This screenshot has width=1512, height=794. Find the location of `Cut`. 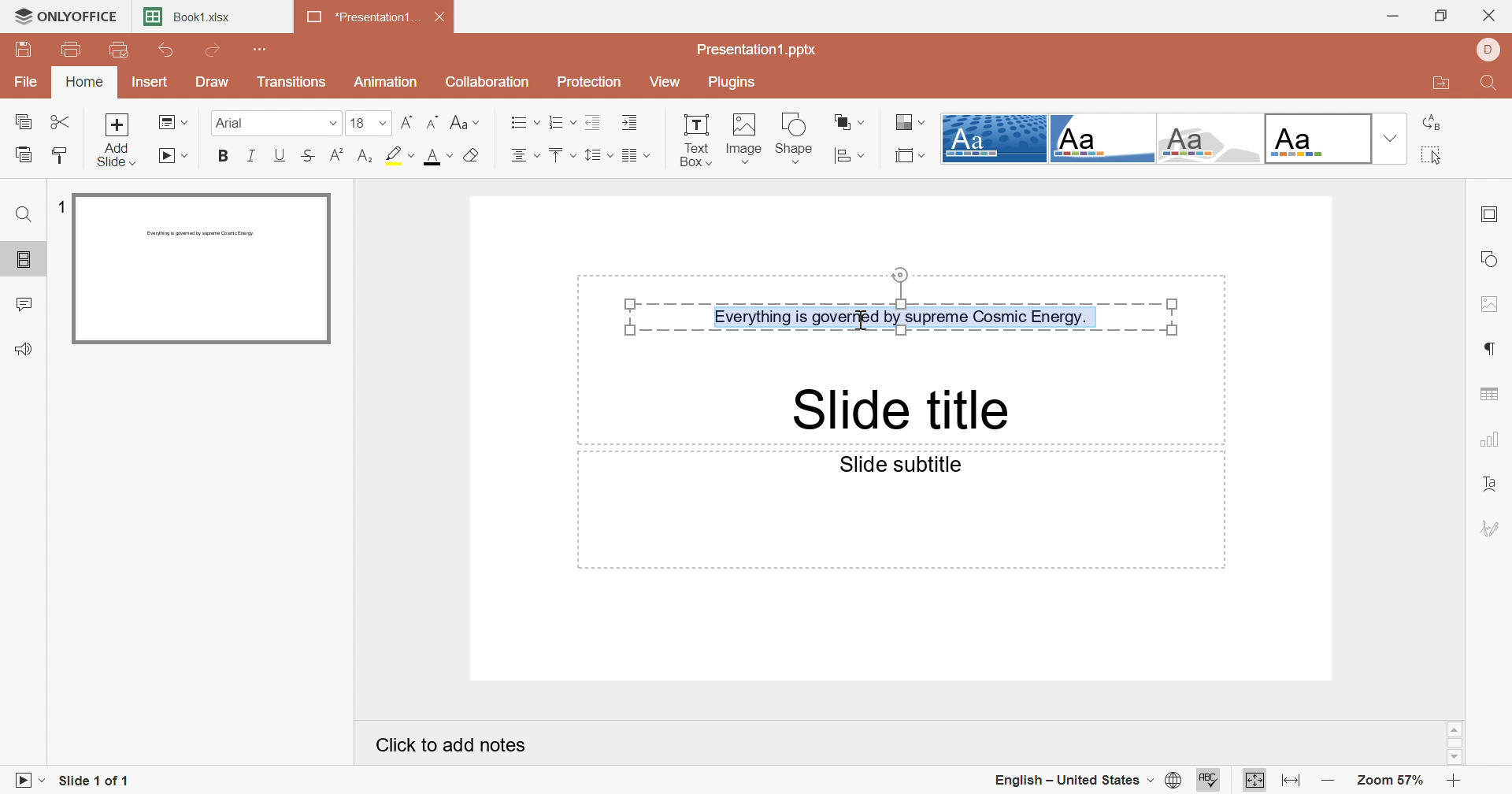

Cut is located at coordinates (60, 123).